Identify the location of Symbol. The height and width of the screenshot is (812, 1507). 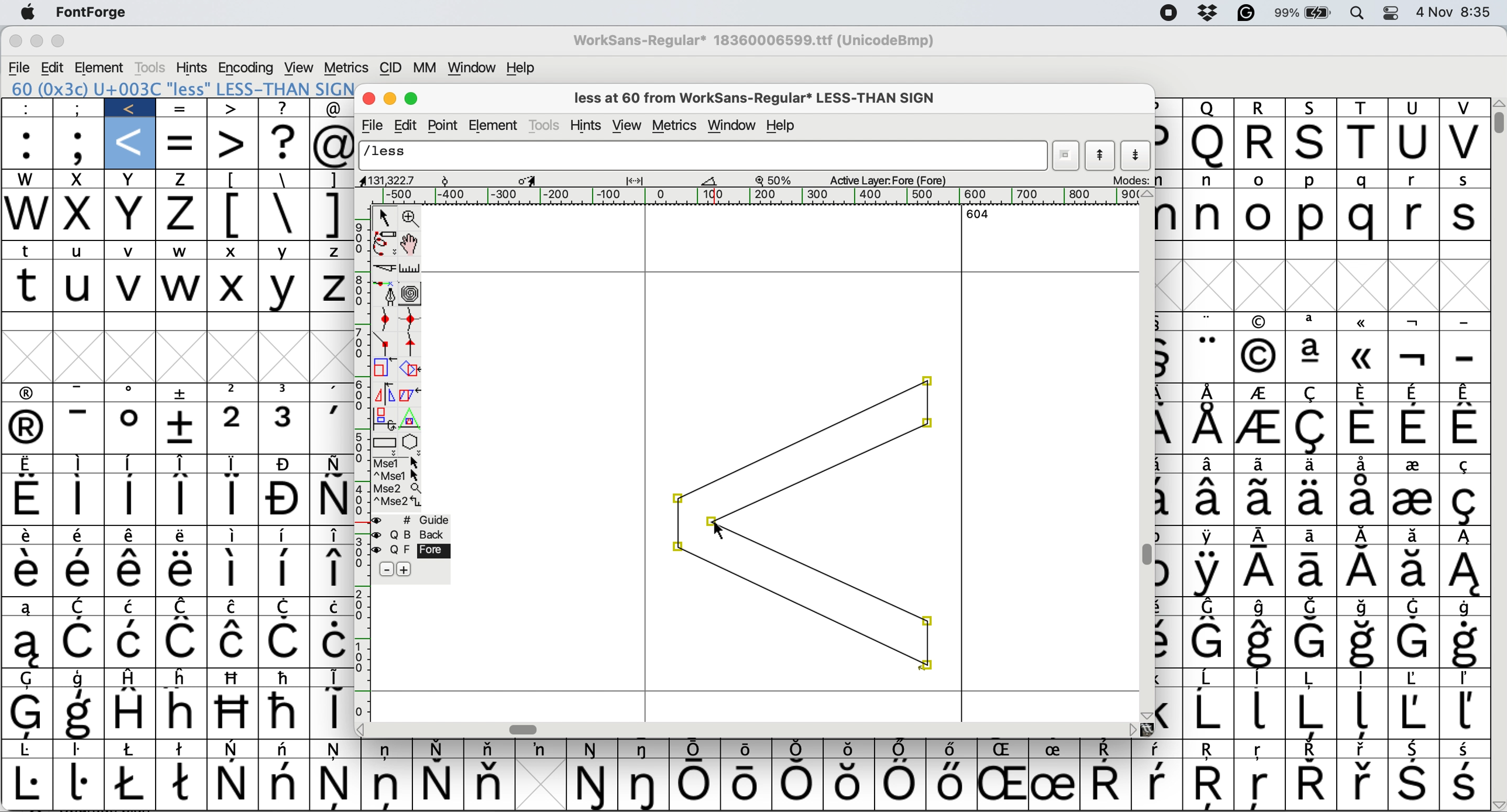
(648, 750).